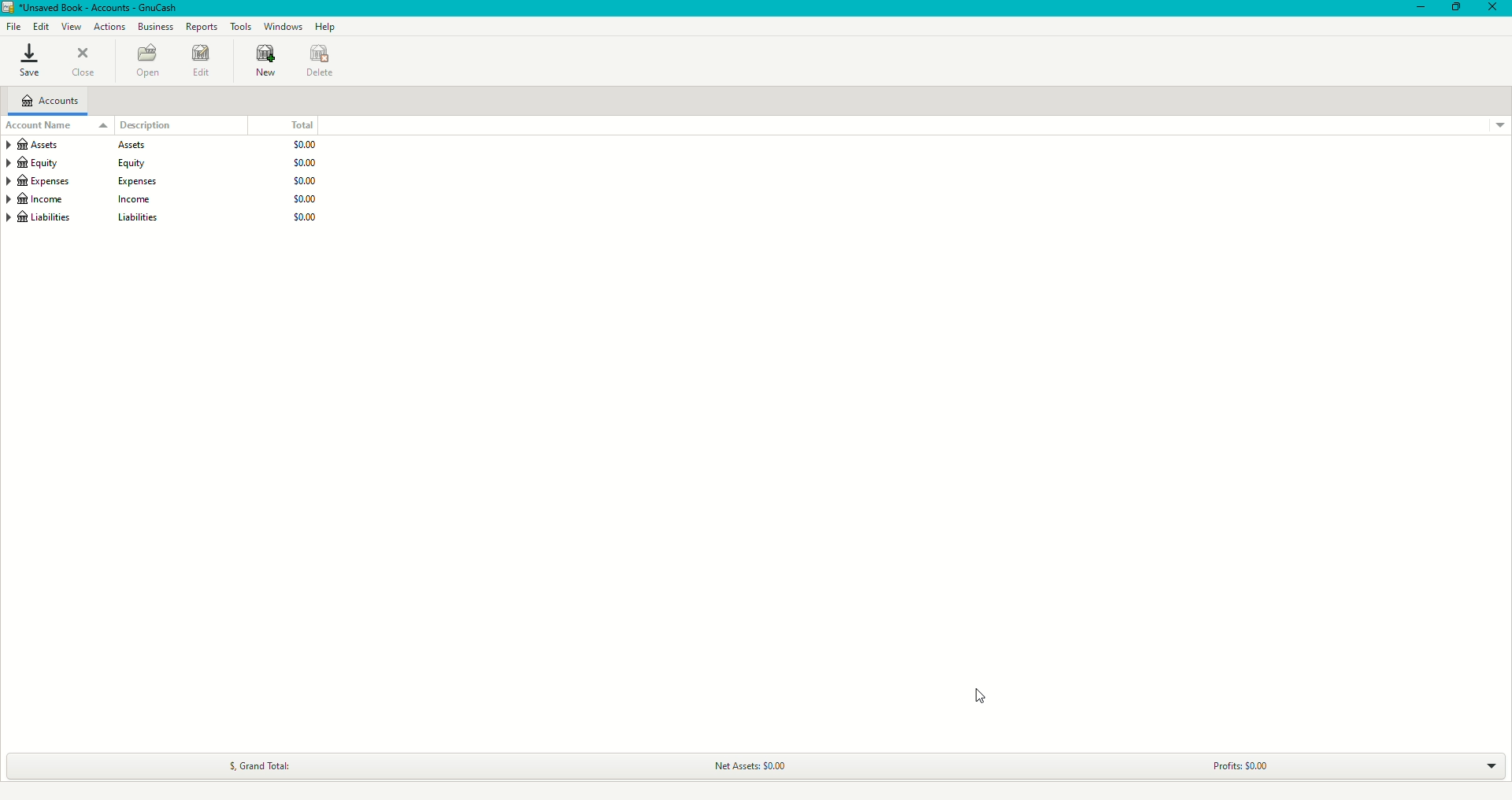 This screenshot has height=800, width=1512. What do you see at coordinates (324, 62) in the screenshot?
I see `Delete` at bounding box center [324, 62].